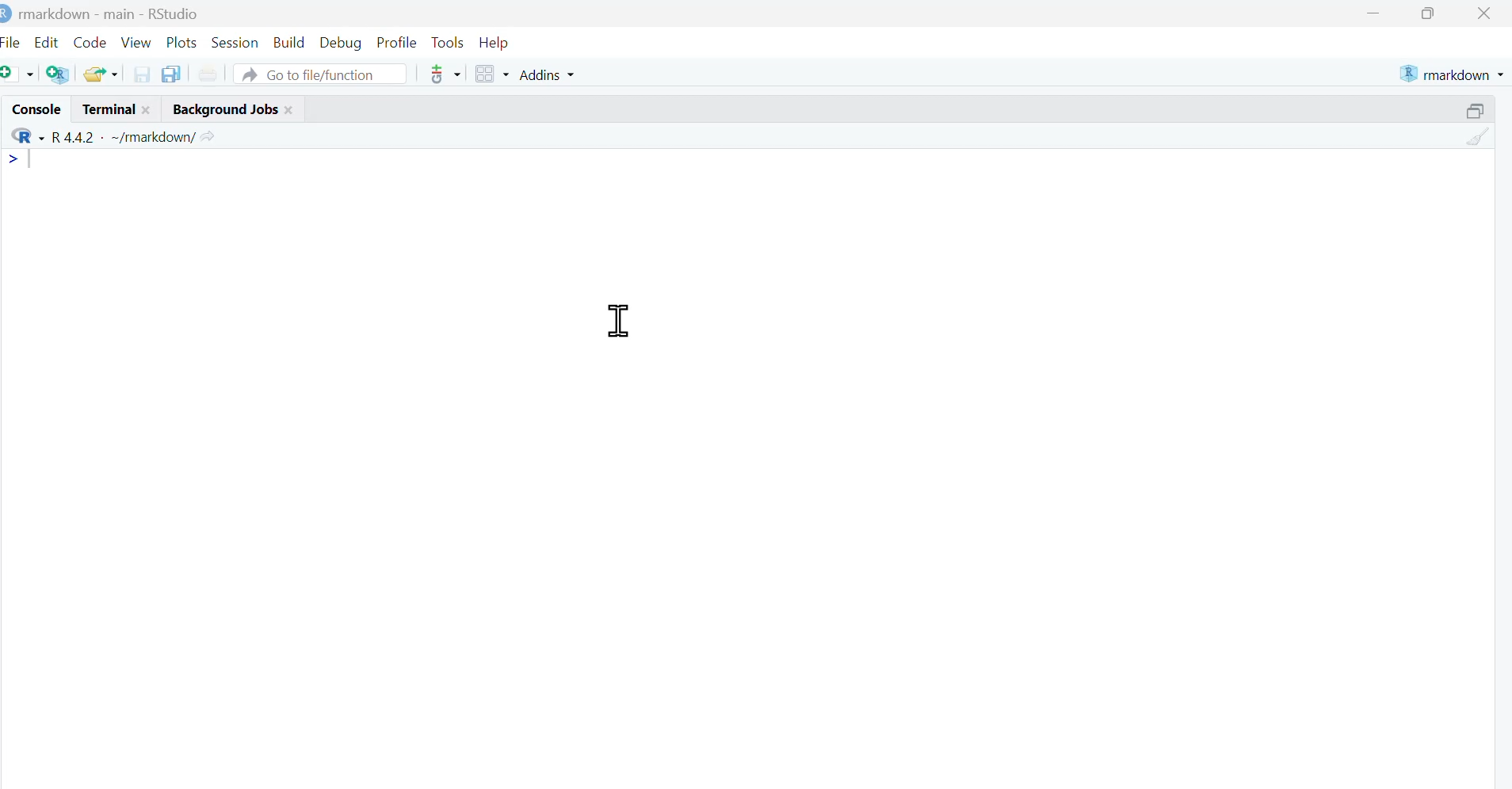  Describe the element at coordinates (208, 73) in the screenshot. I see `Print current file` at that location.